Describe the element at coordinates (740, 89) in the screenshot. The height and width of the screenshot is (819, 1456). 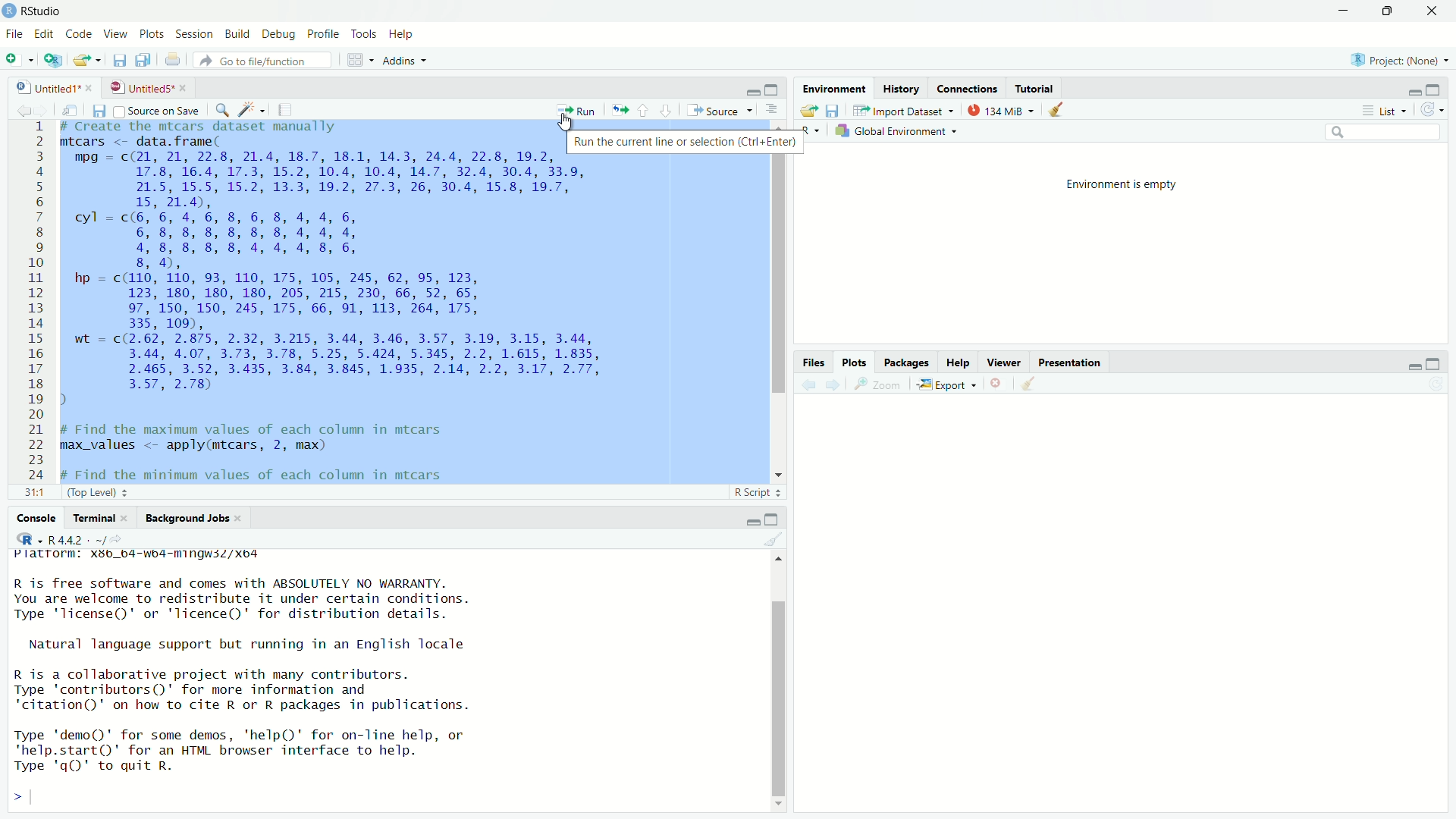
I see `minimise` at that location.